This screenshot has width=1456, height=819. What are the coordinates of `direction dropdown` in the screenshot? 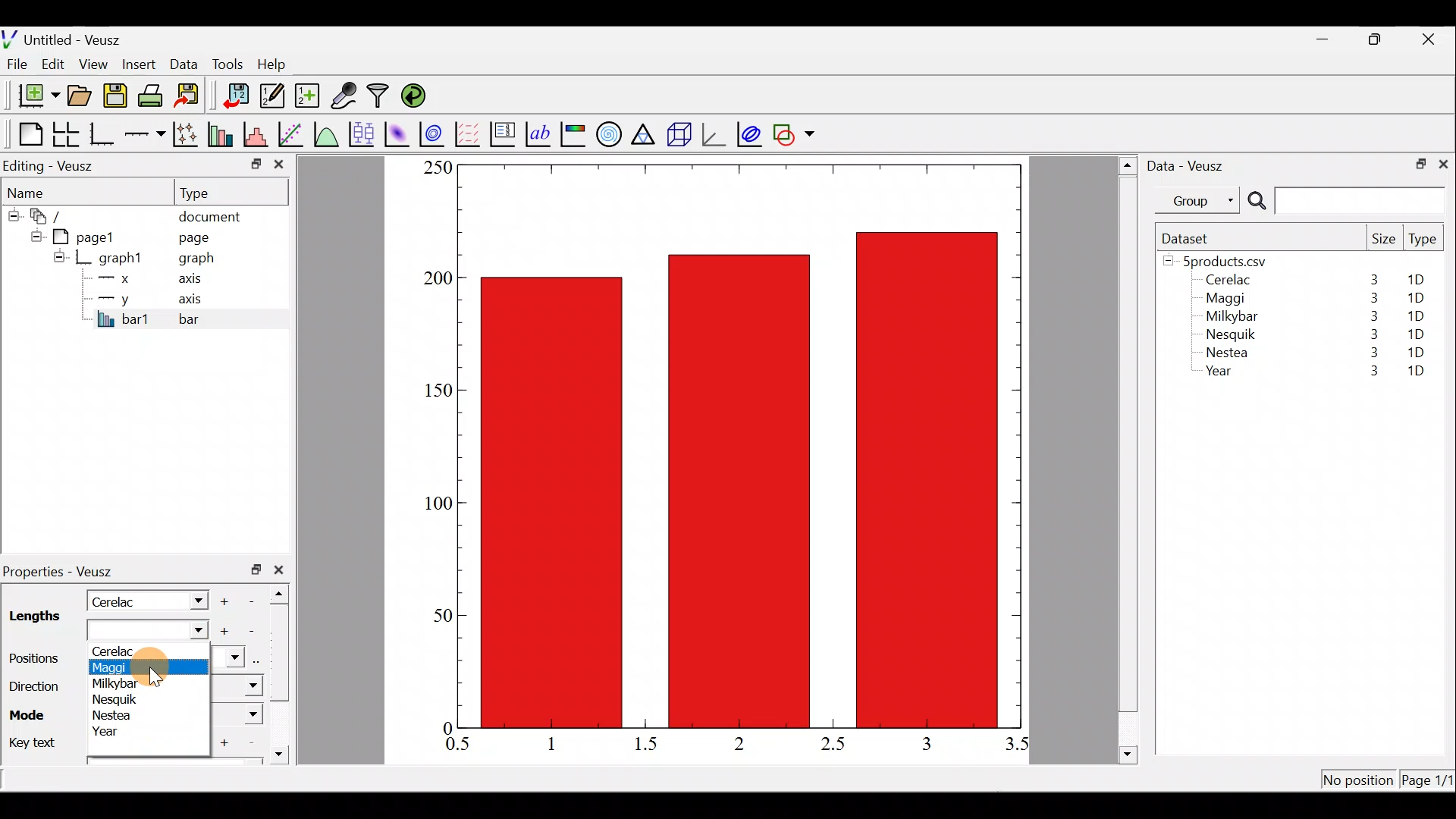 It's located at (234, 687).